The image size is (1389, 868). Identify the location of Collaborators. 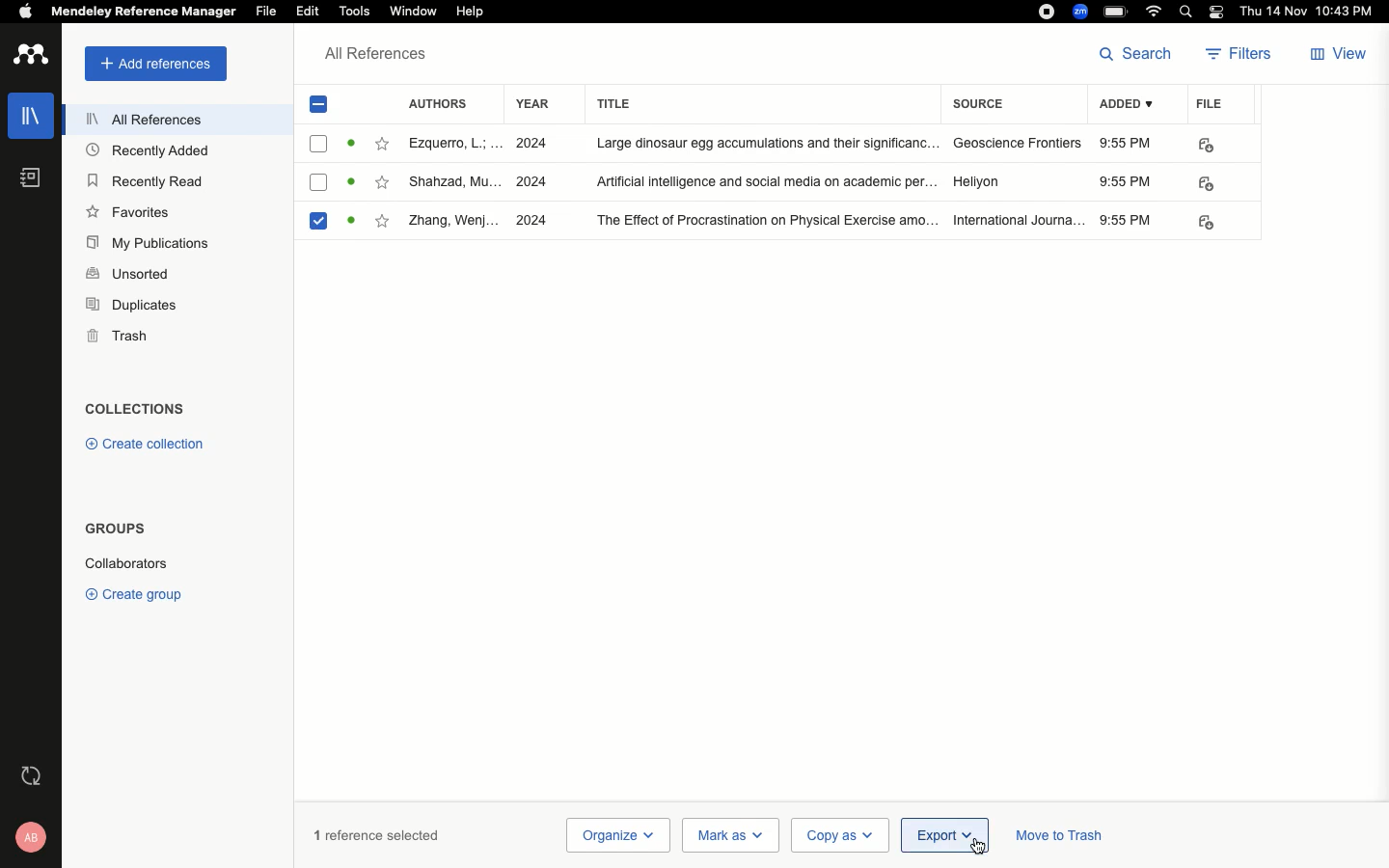
(125, 563).